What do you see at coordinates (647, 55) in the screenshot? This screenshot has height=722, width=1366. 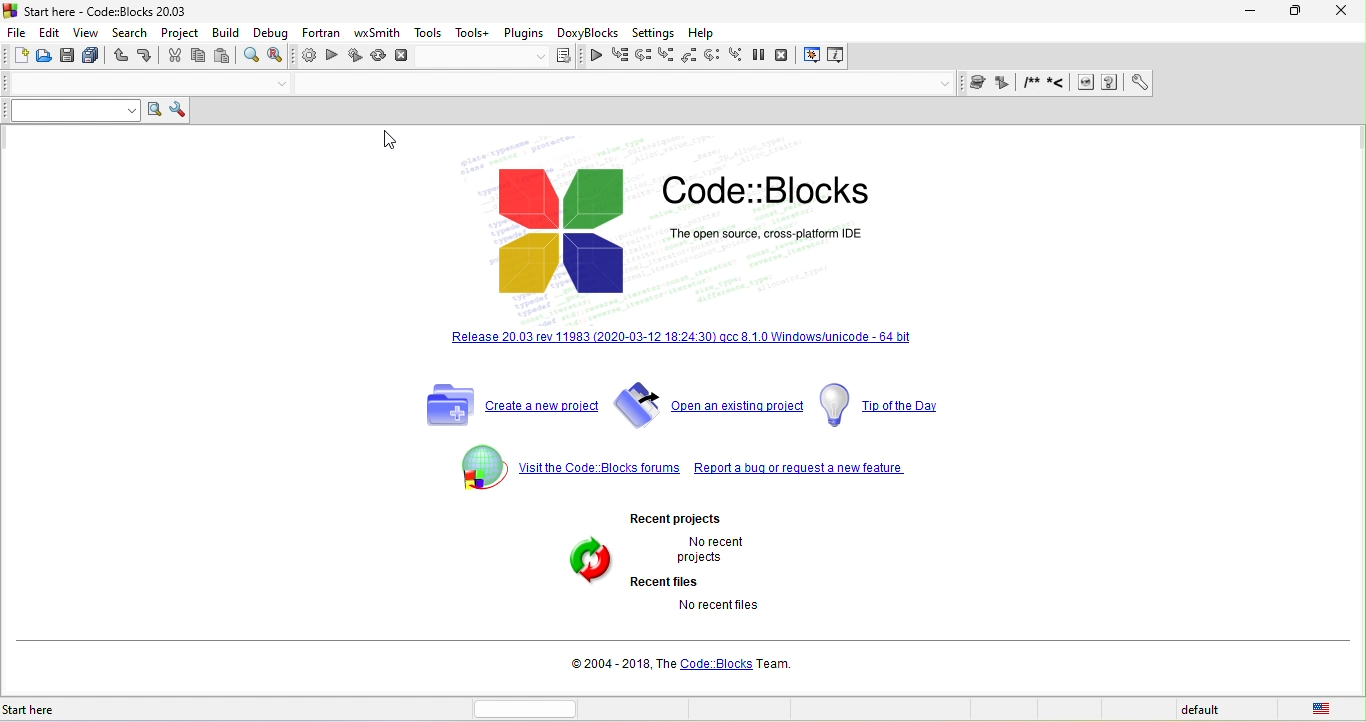 I see `next line` at bounding box center [647, 55].